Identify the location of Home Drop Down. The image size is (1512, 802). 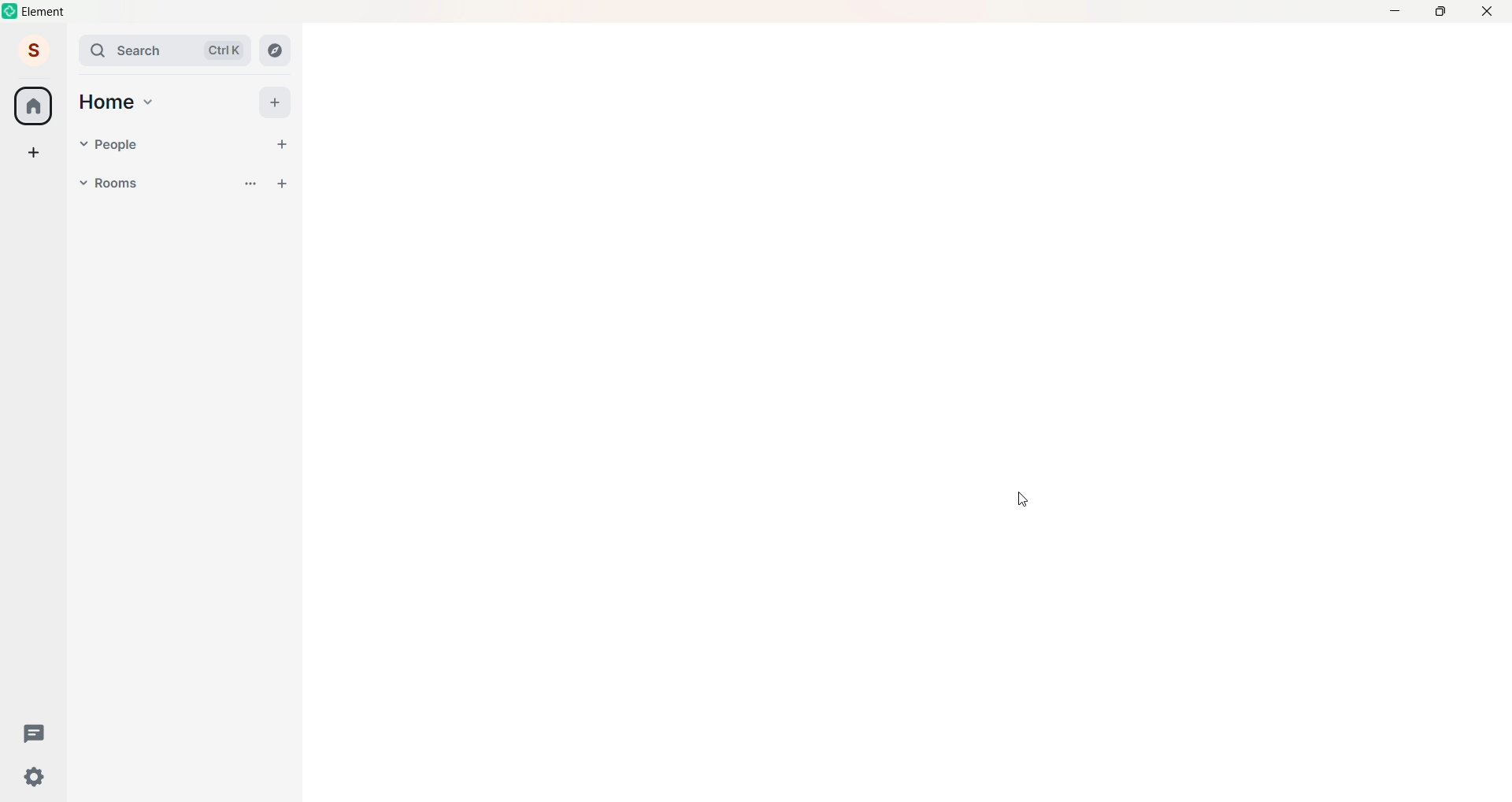
(150, 102).